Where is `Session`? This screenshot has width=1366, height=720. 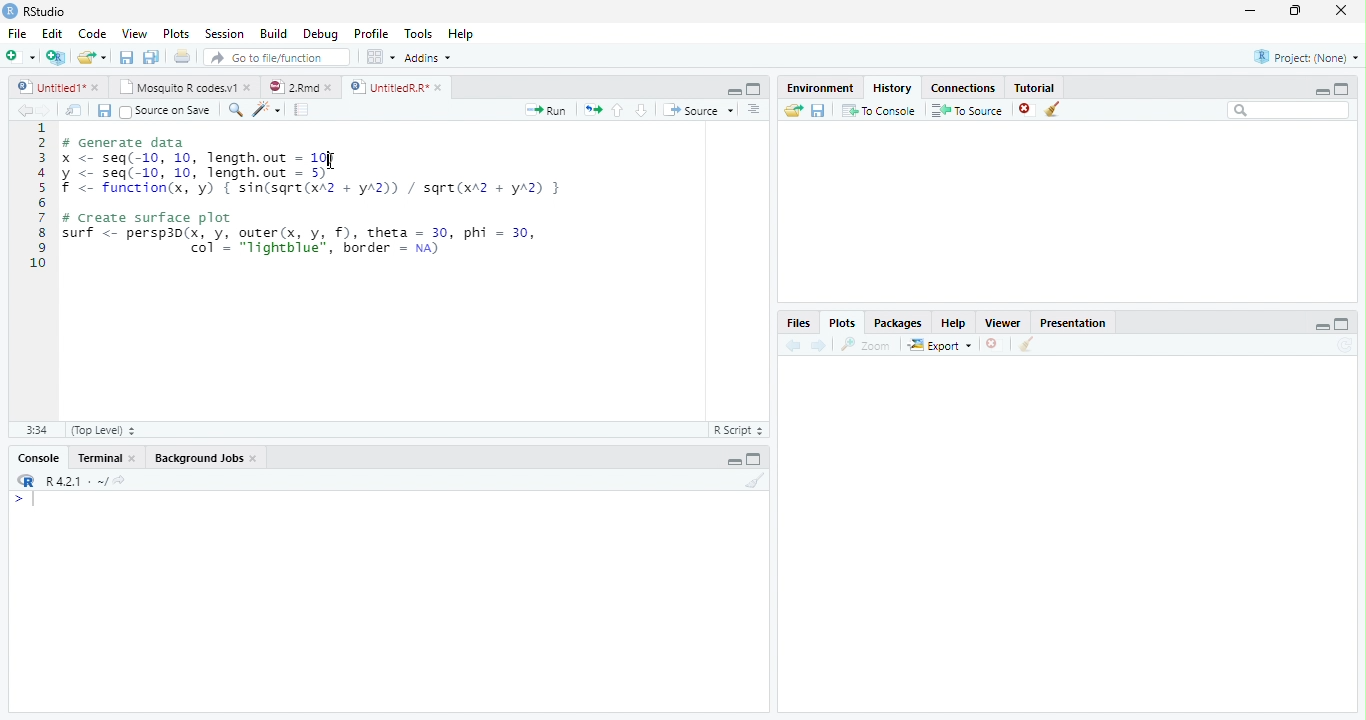 Session is located at coordinates (223, 34).